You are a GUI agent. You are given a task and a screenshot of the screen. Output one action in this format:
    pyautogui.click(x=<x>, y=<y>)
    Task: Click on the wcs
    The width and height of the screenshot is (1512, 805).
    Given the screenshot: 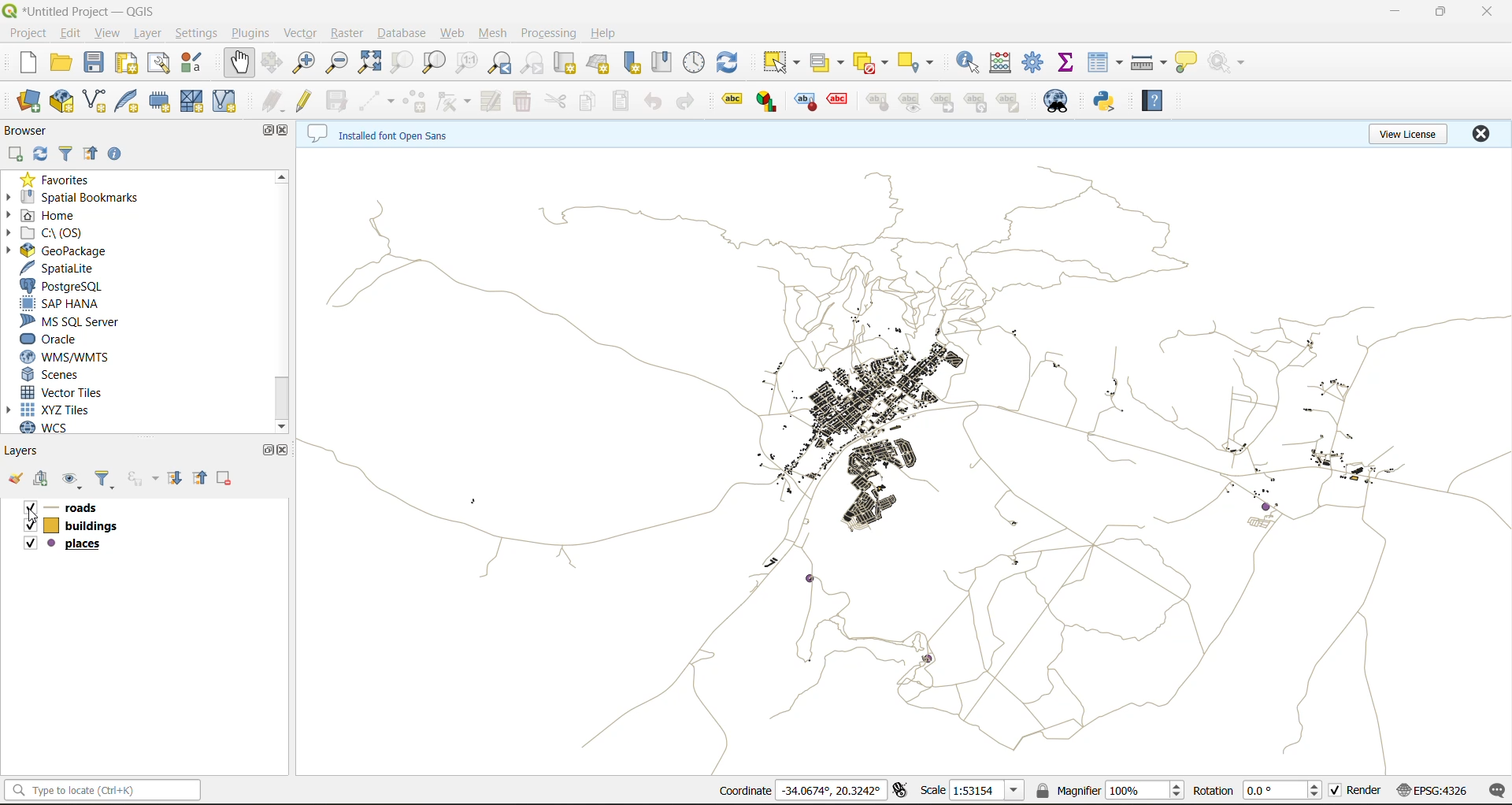 What is the action you would take?
    pyautogui.click(x=71, y=428)
    